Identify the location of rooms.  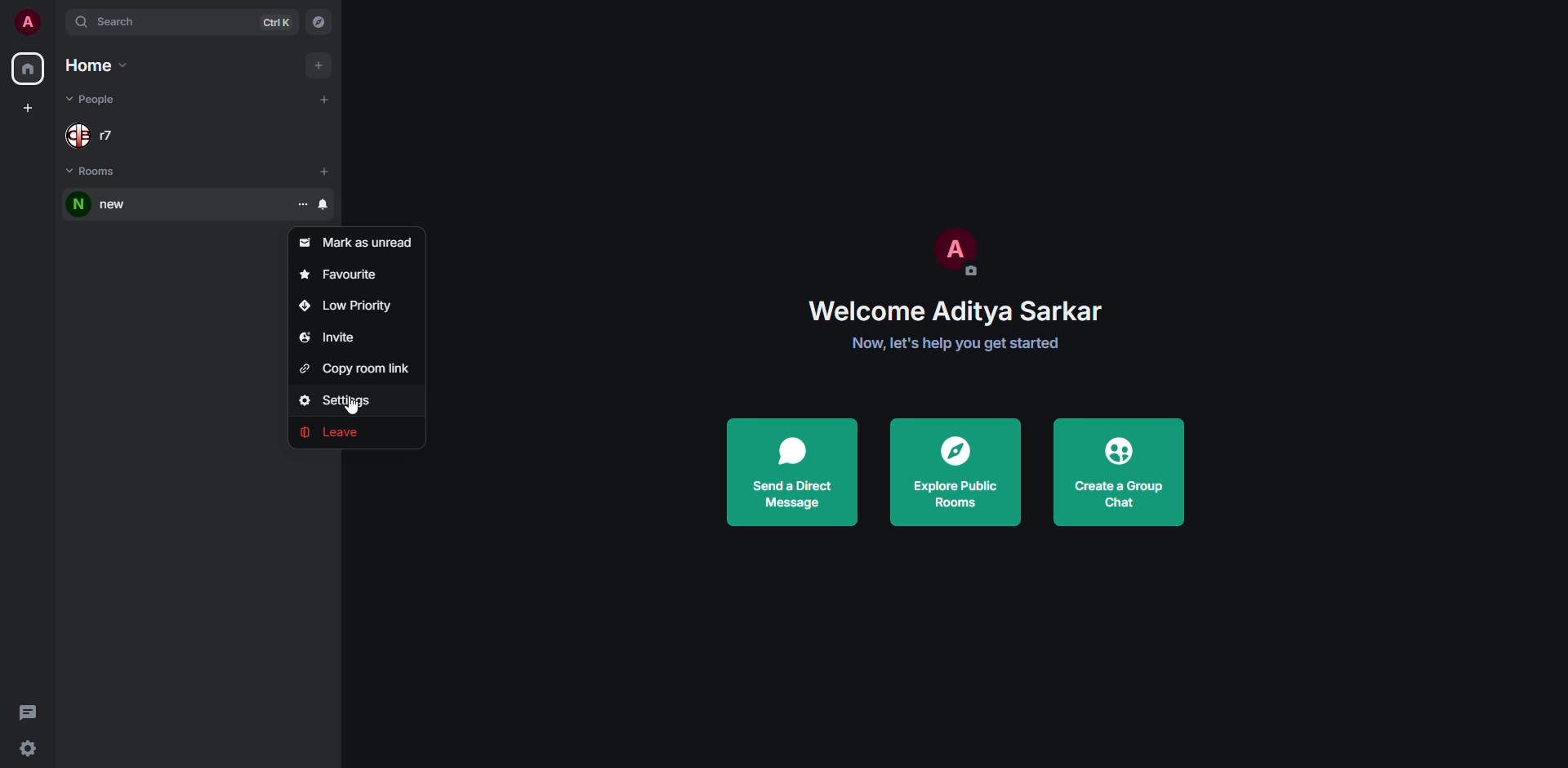
(95, 172).